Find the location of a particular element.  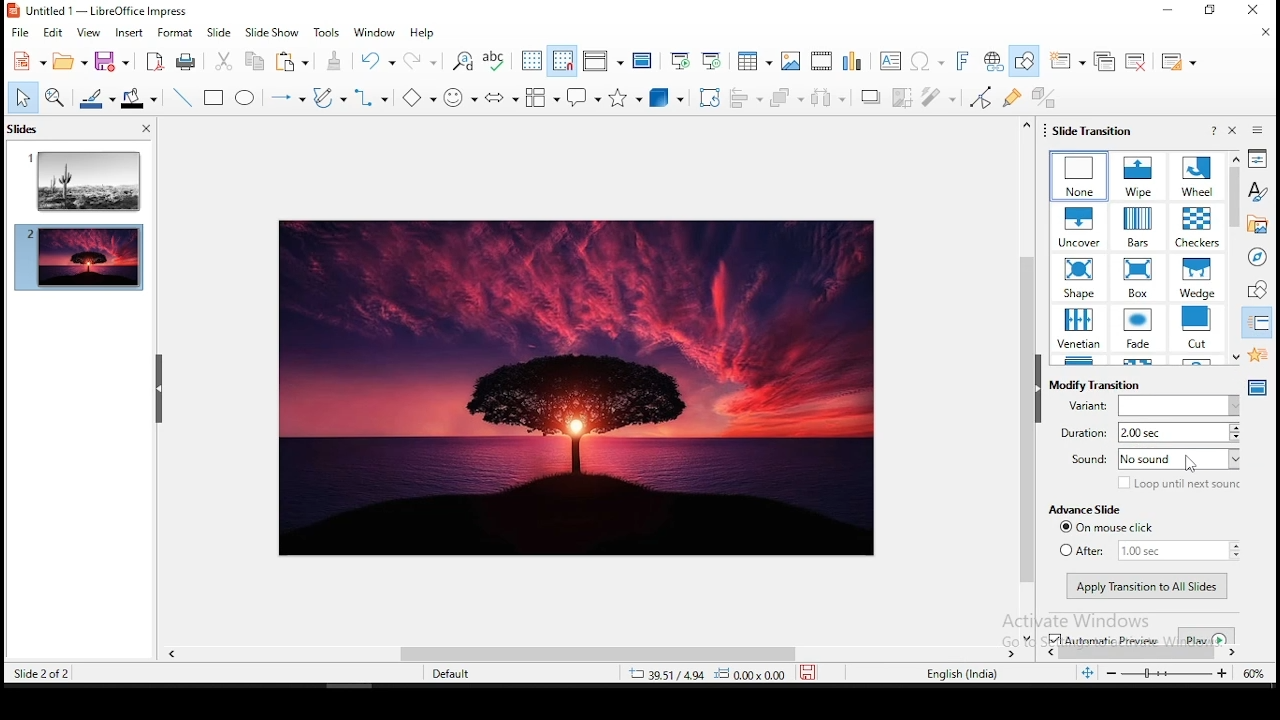

block arrows is located at coordinates (503, 98).